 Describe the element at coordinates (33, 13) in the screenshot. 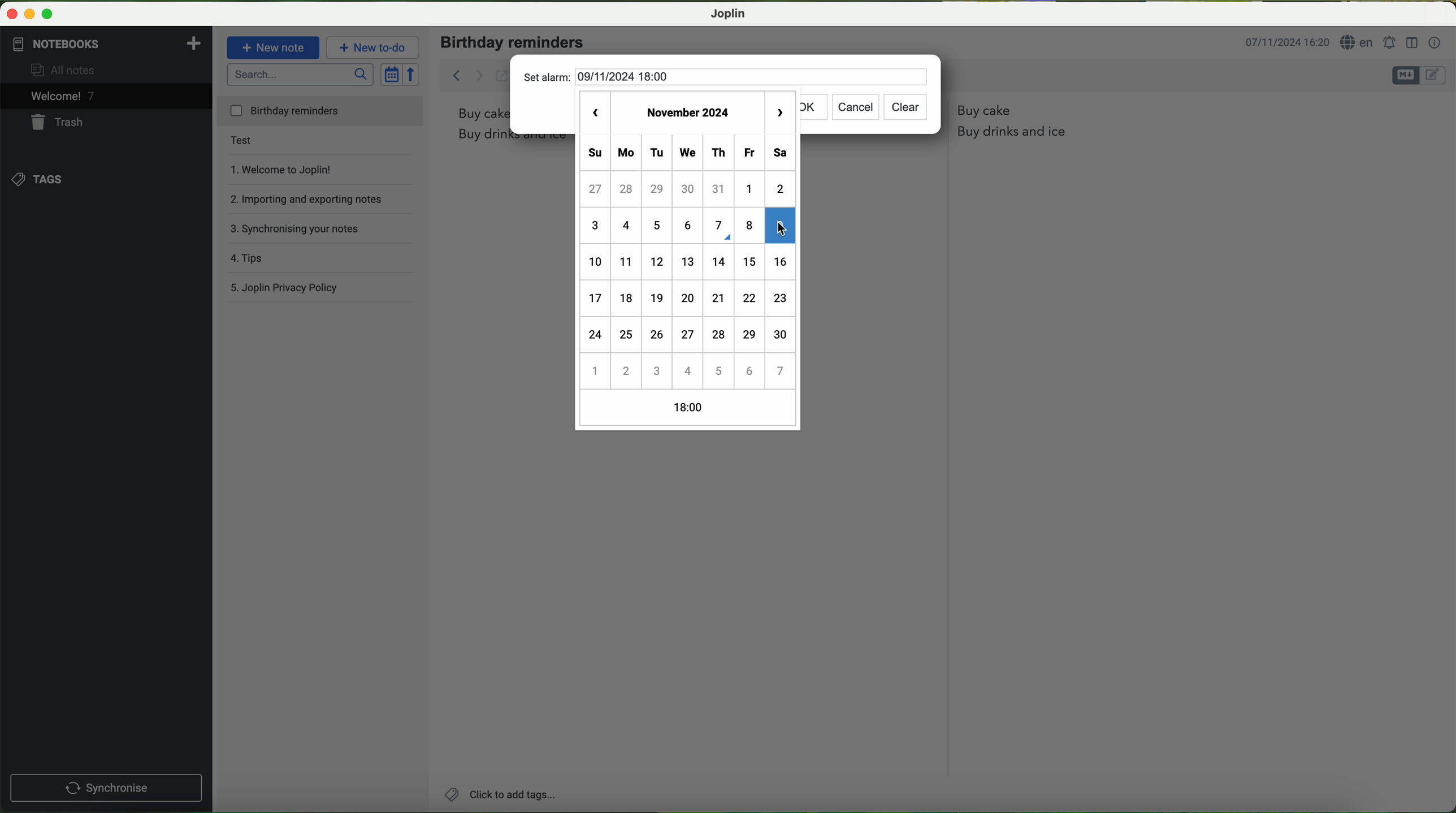

I see `screen buttons` at that location.